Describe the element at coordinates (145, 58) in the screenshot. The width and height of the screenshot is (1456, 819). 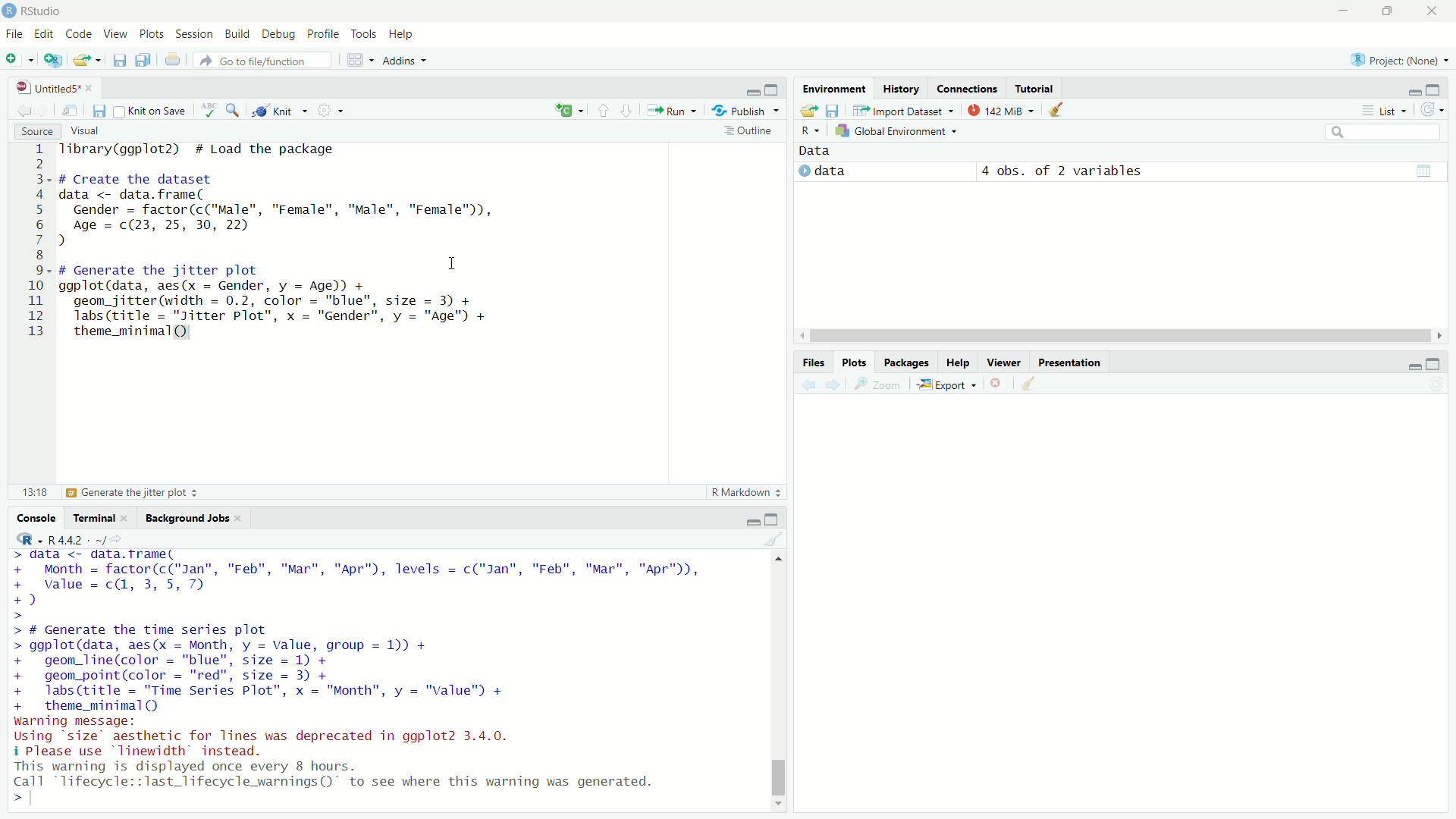
I see `save all open documents` at that location.